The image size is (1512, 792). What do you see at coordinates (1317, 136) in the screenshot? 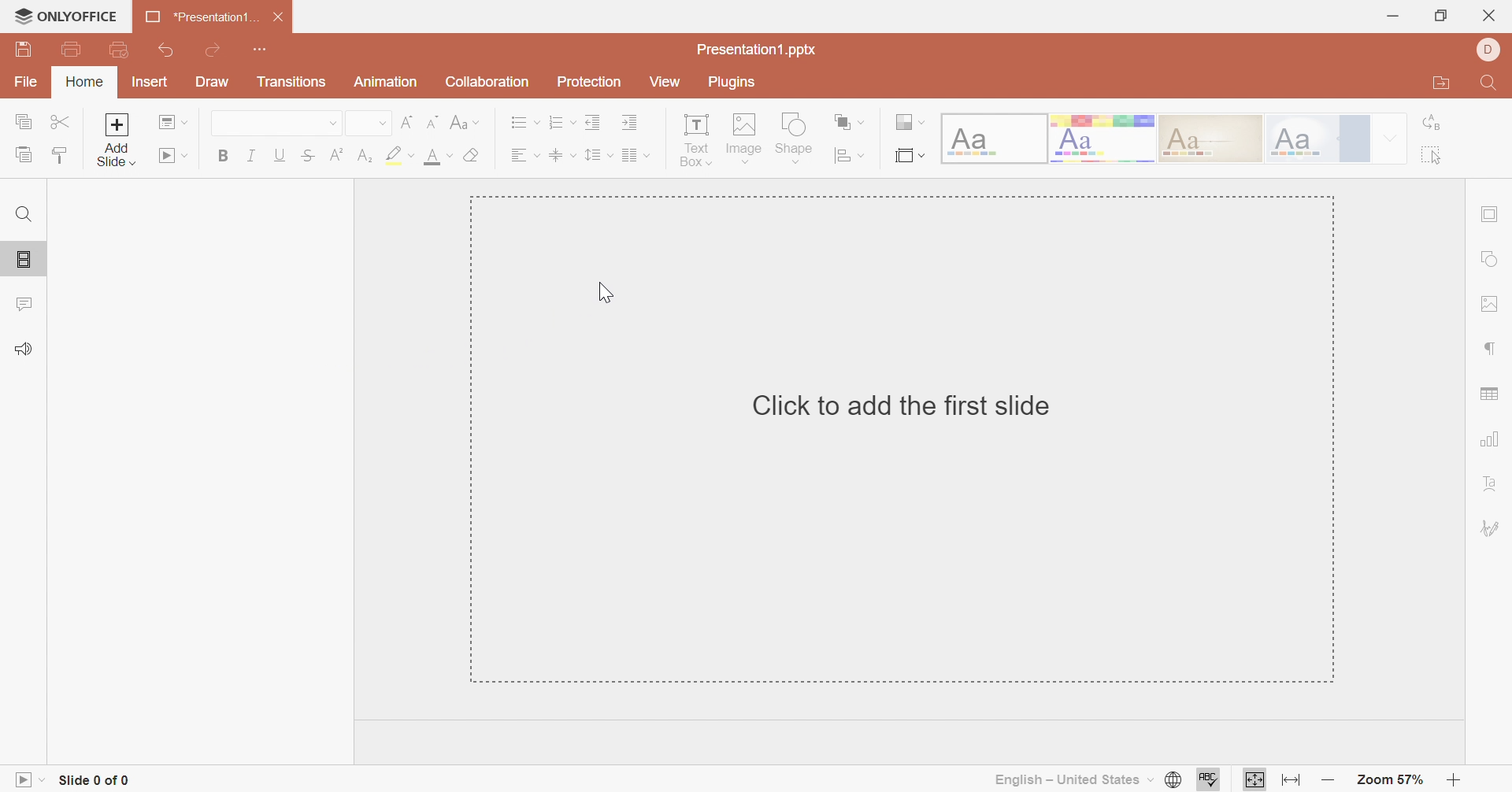
I see `Official` at bounding box center [1317, 136].